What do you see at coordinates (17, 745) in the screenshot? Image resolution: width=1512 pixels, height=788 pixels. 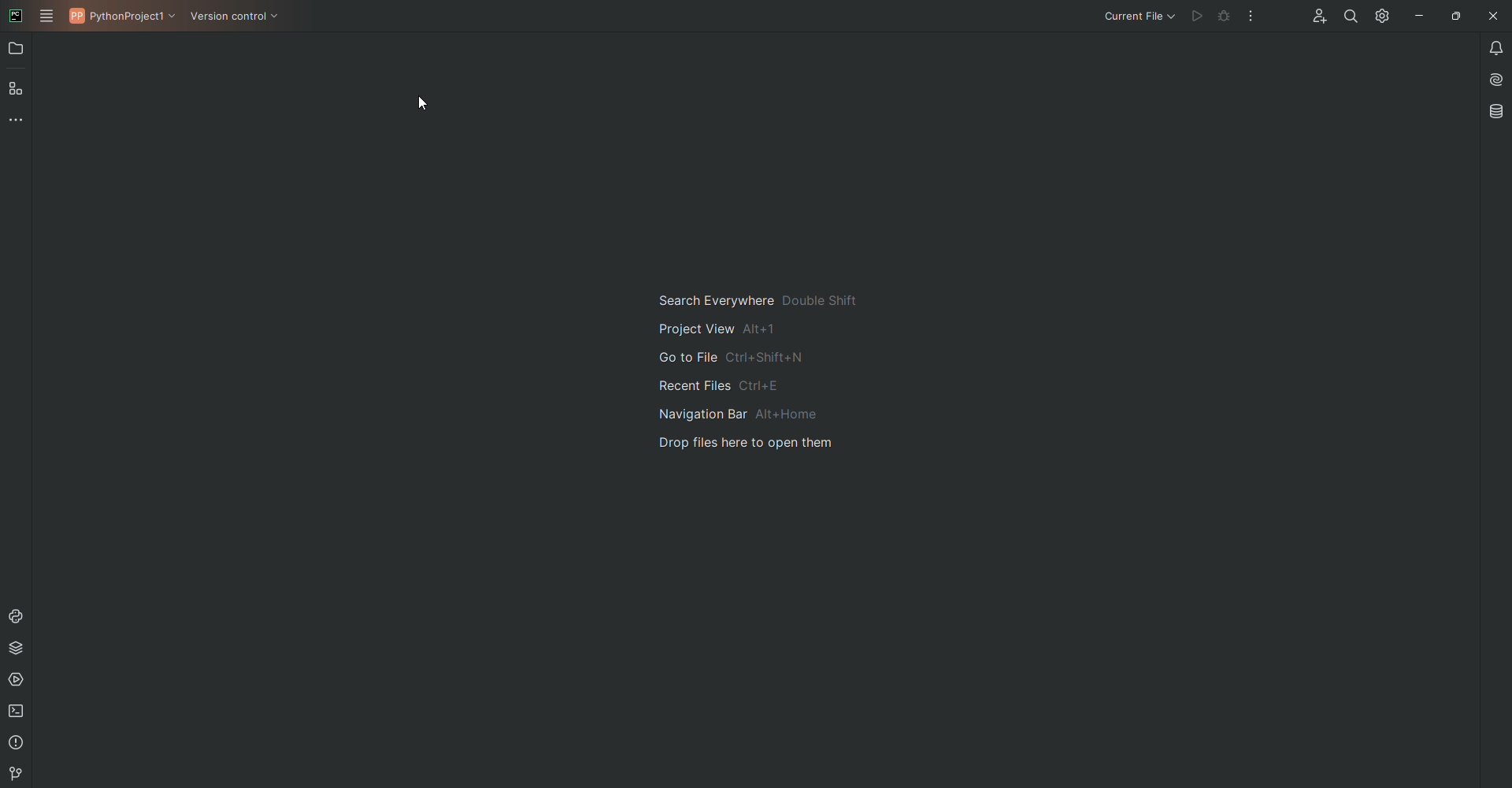 I see `Problems` at bounding box center [17, 745].